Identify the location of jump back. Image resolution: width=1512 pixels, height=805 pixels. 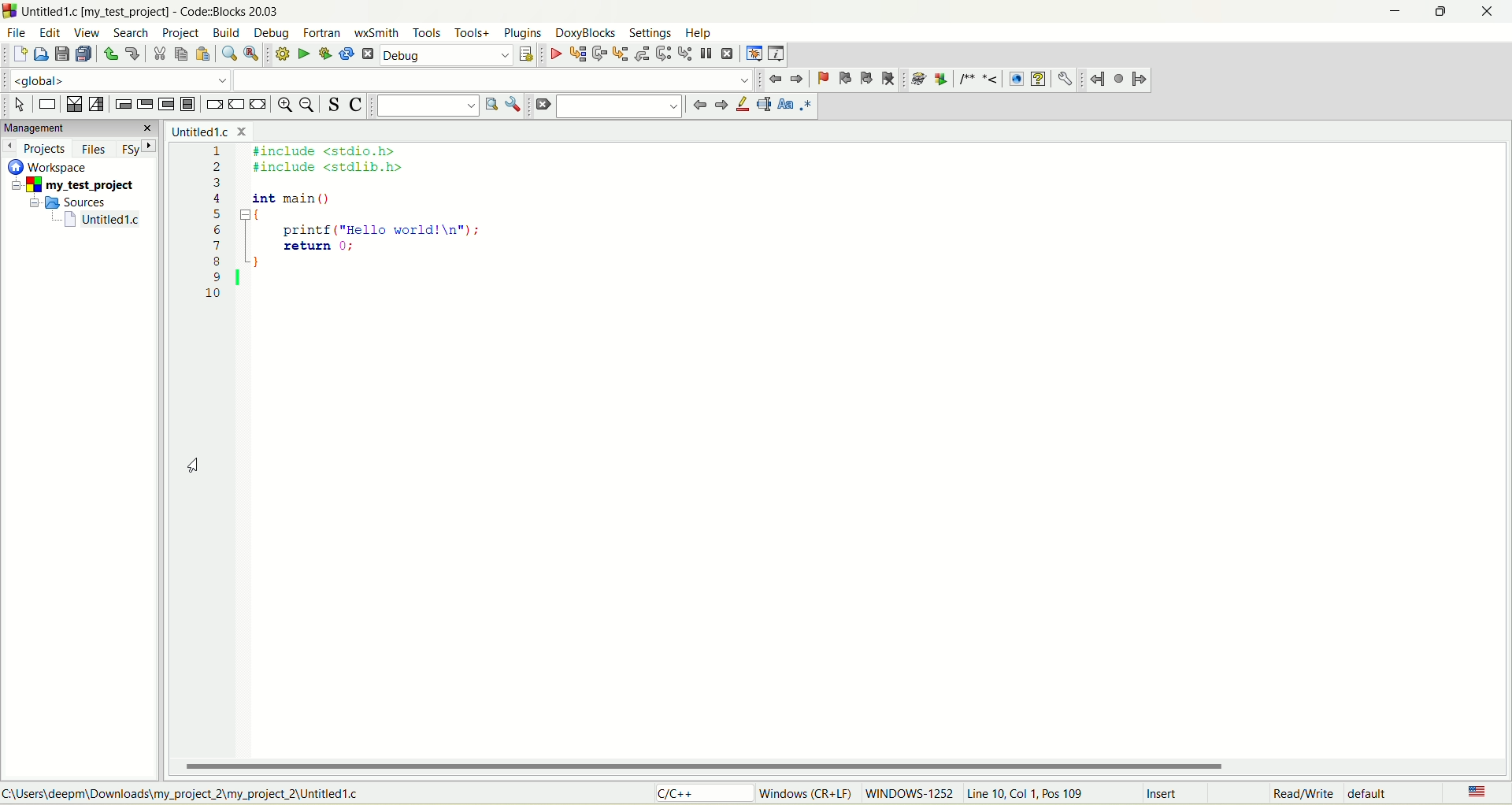
(1095, 79).